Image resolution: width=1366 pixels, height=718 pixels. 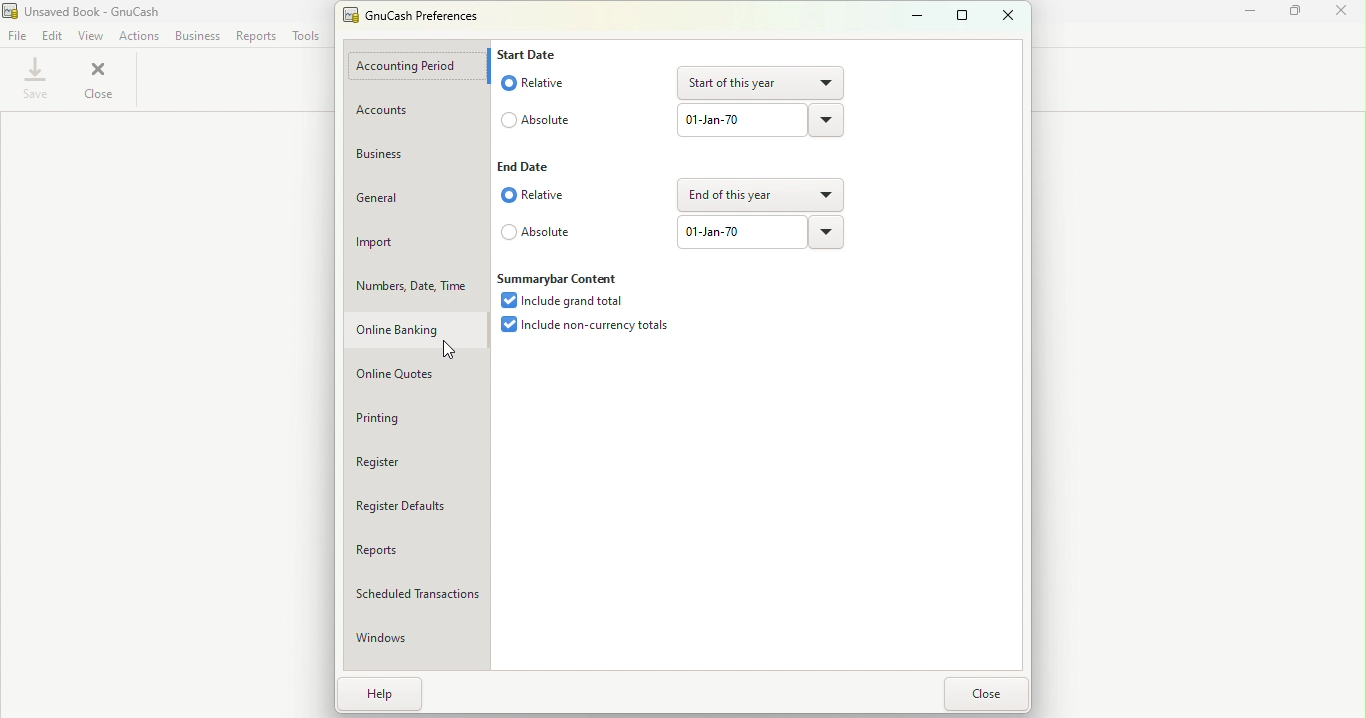 I want to click on Maximize, so click(x=1298, y=17).